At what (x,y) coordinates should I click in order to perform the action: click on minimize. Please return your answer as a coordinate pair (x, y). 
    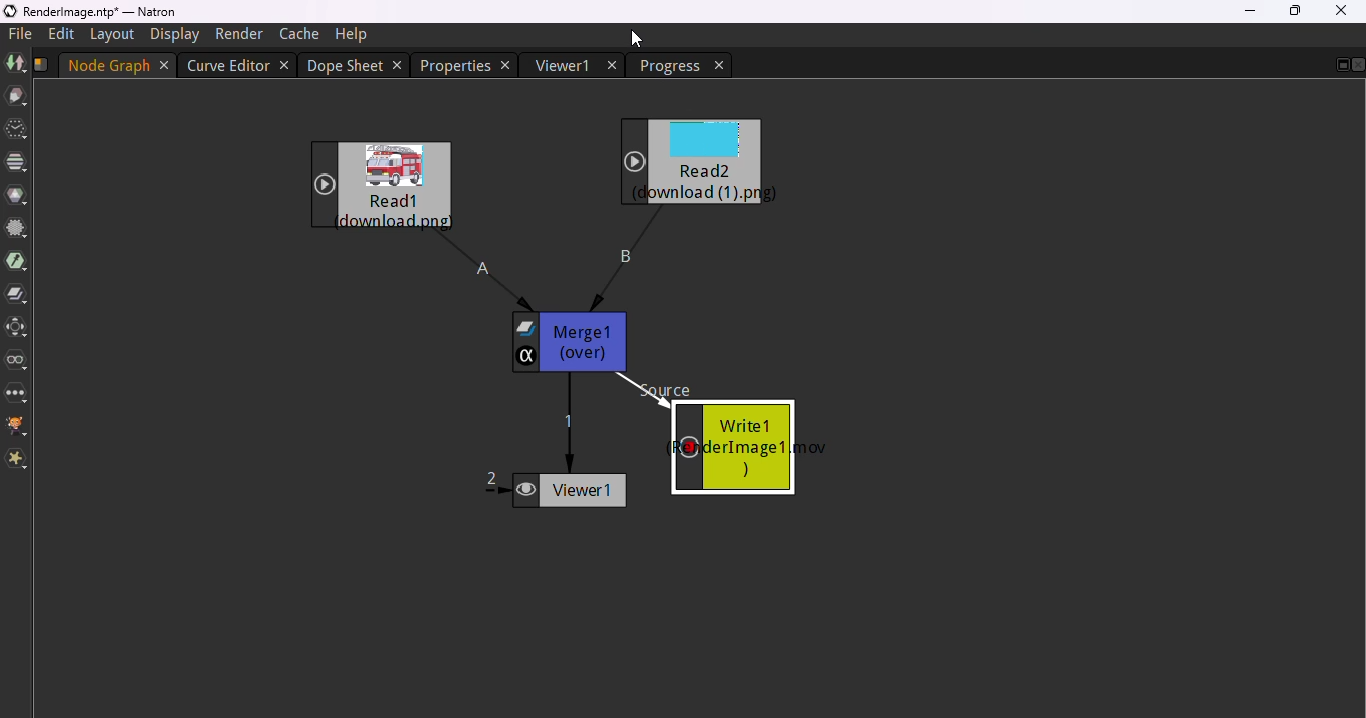
    Looking at the image, I should click on (1250, 10).